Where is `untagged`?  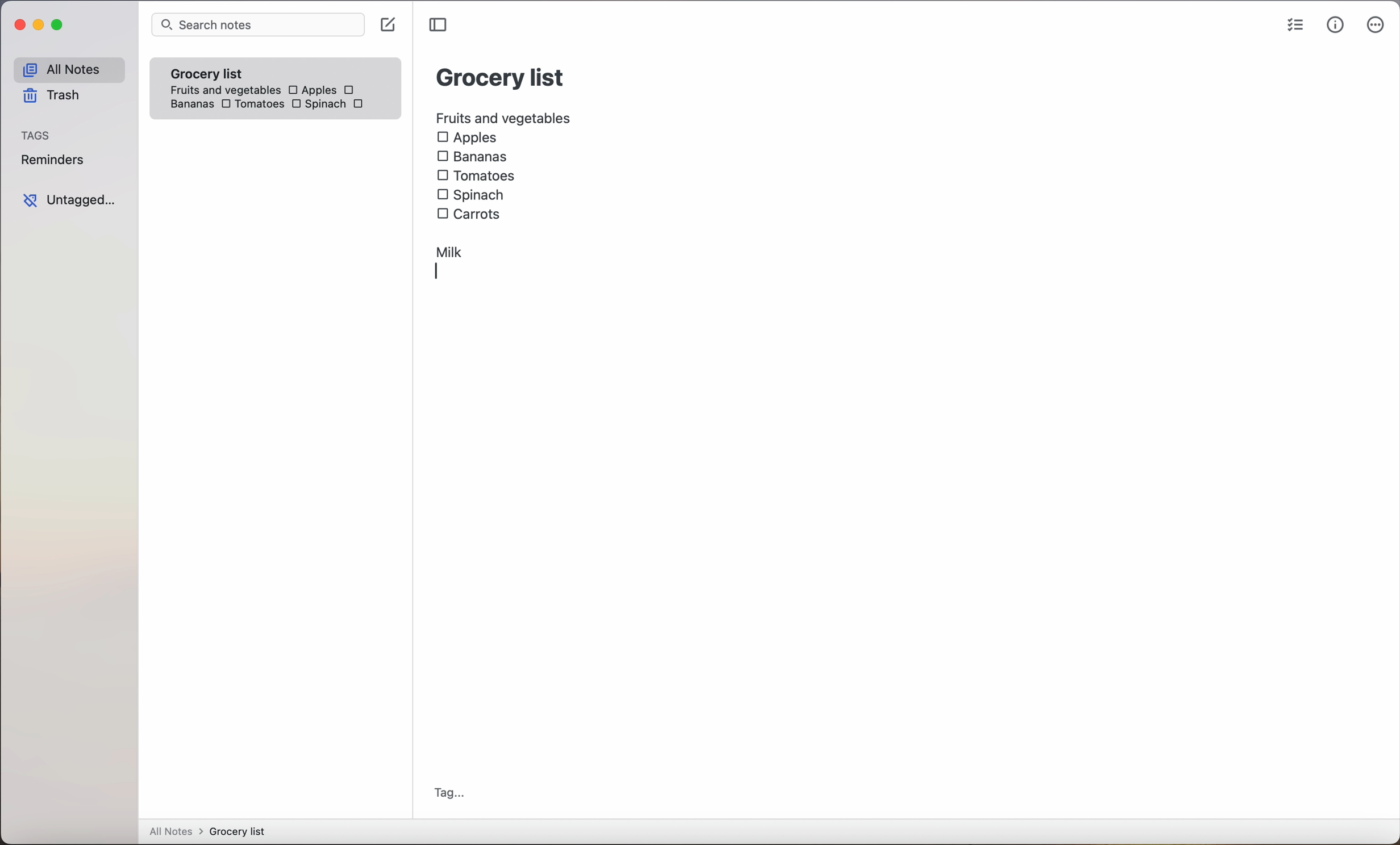
untagged is located at coordinates (69, 200).